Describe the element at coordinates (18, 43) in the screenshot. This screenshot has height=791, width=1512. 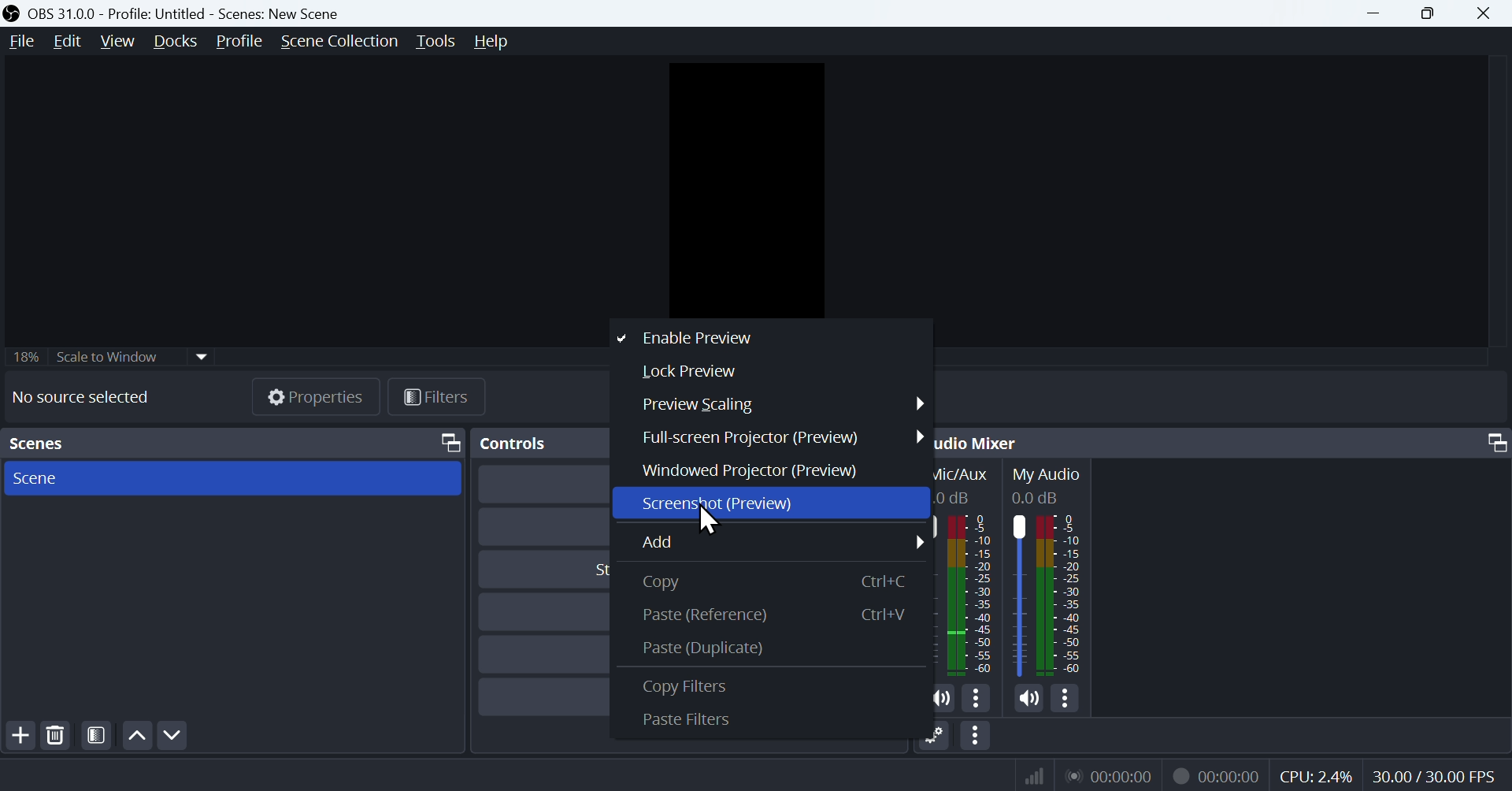
I see `File` at that location.